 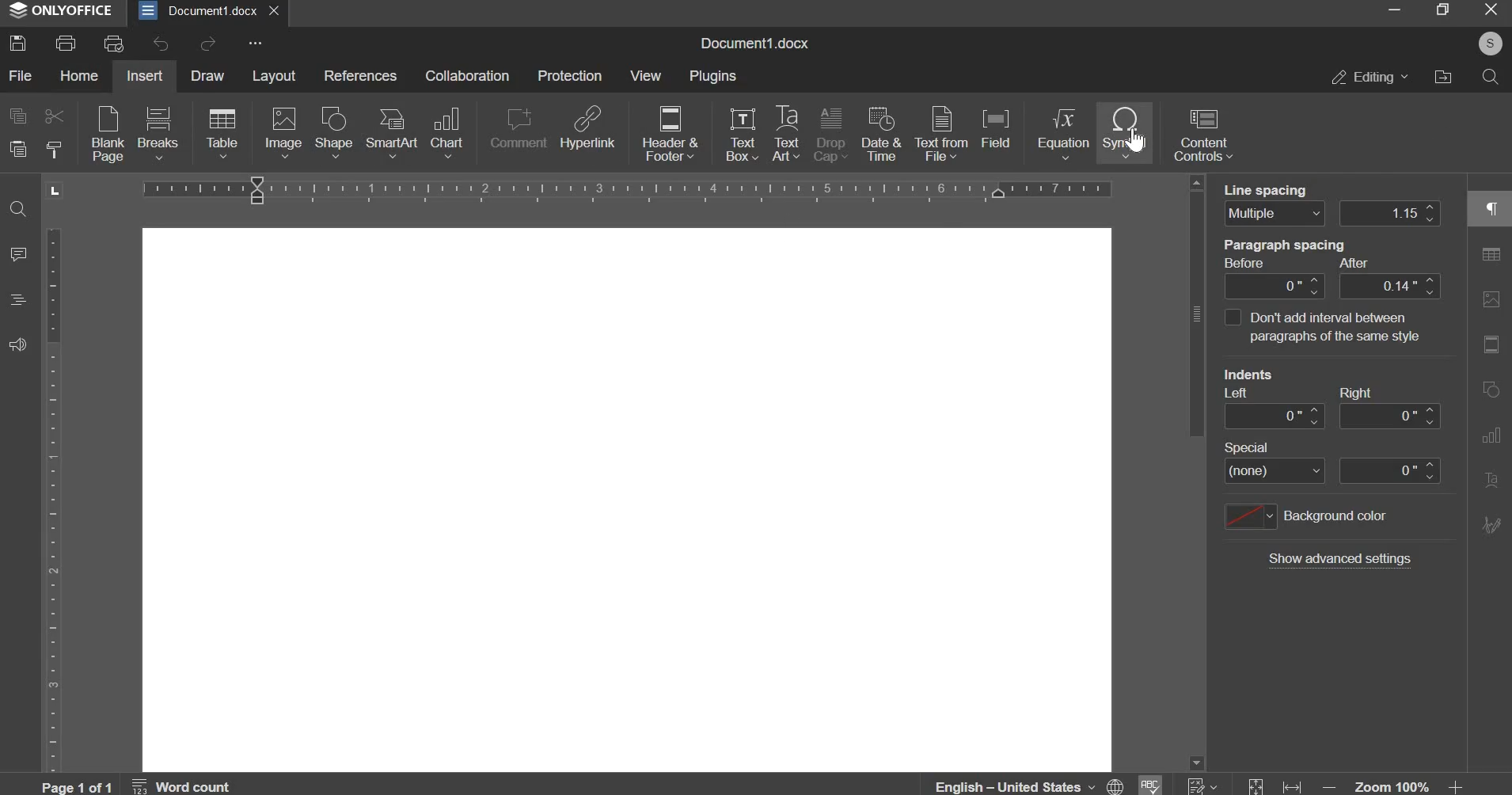 What do you see at coordinates (221, 132) in the screenshot?
I see `table` at bounding box center [221, 132].